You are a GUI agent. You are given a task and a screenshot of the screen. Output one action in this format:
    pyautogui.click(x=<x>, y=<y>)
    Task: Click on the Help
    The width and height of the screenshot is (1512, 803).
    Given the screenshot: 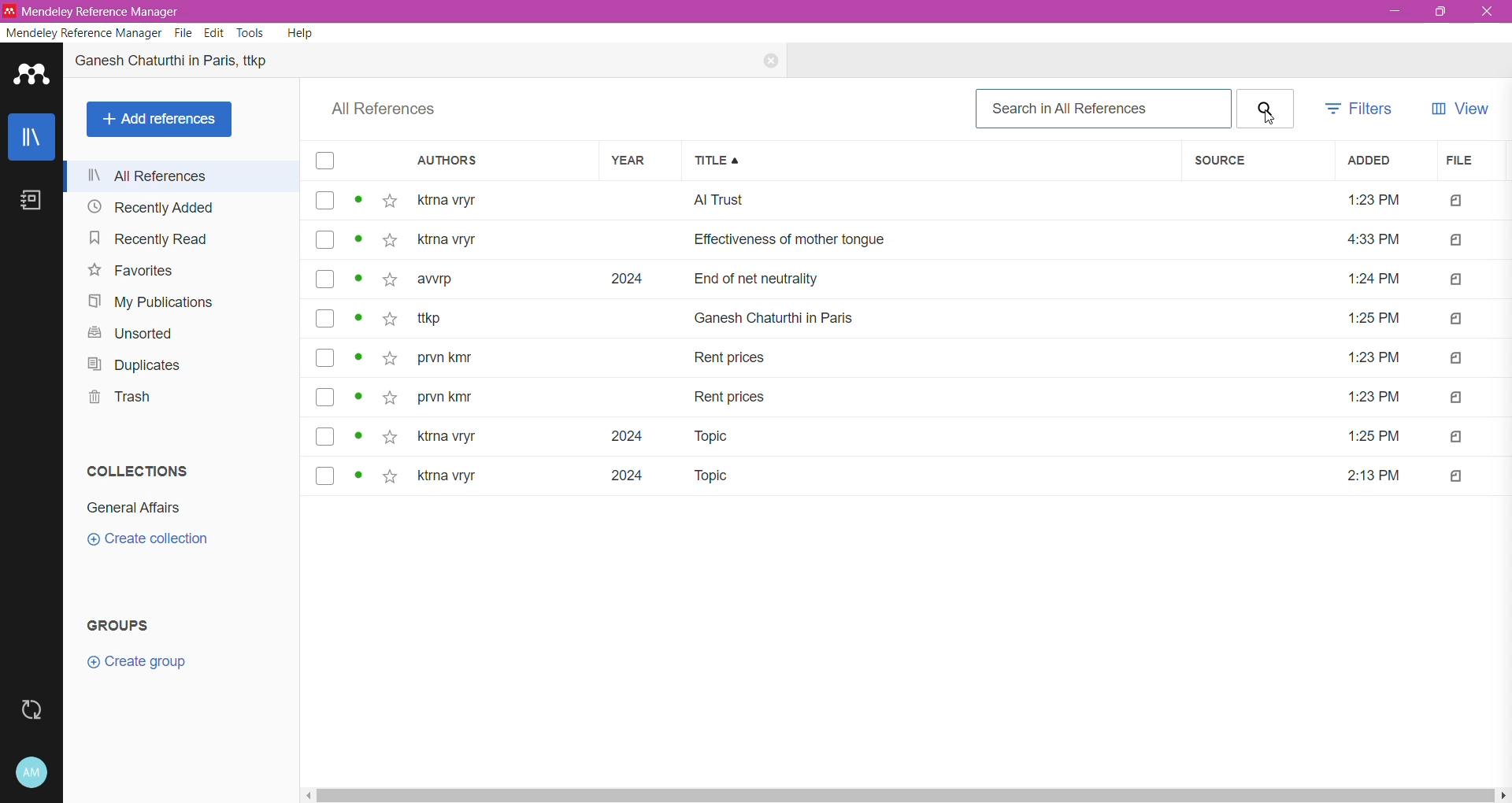 What is the action you would take?
    pyautogui.click(x=299, y=33)
    